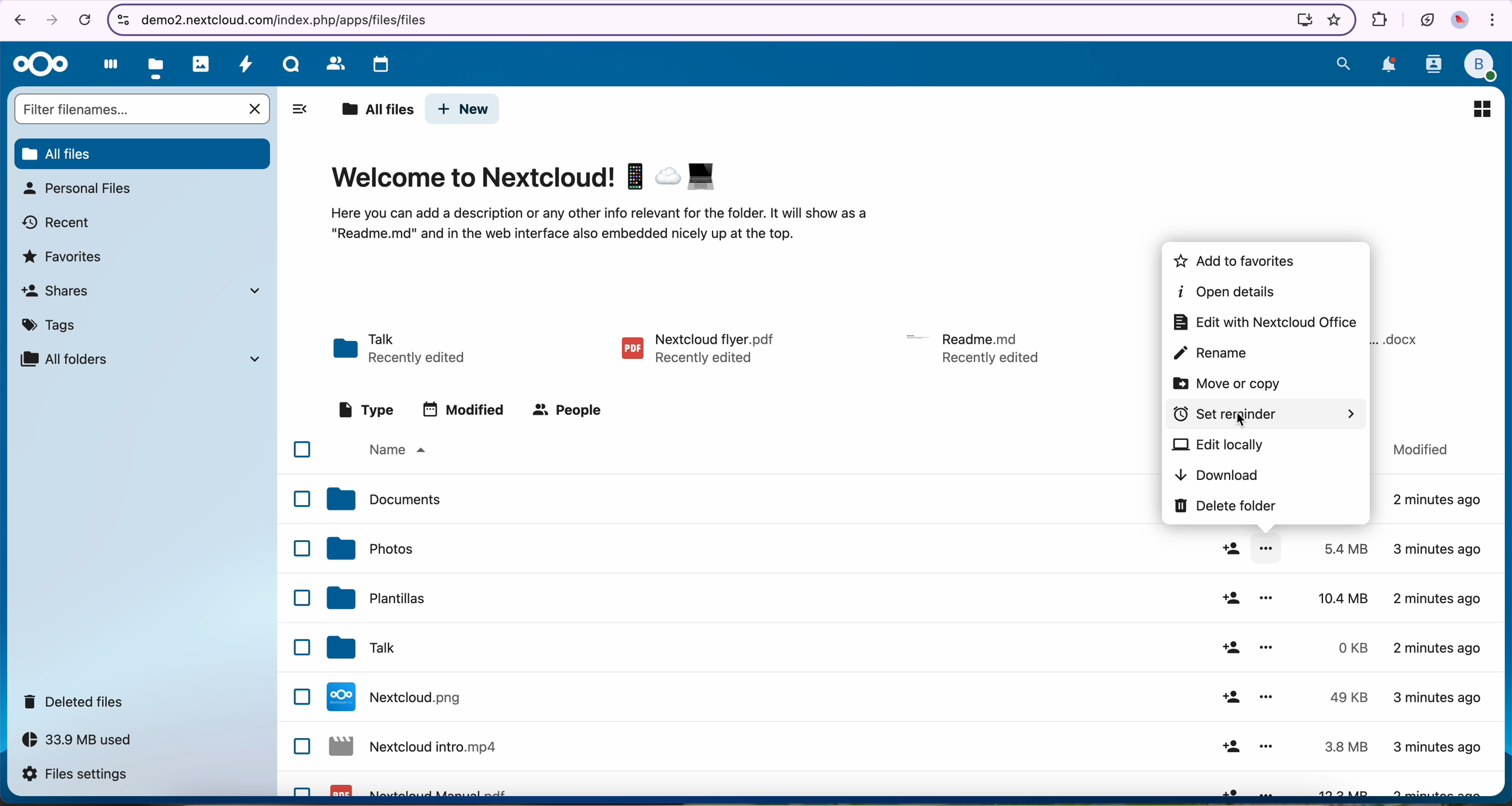  What do you see at coordinates (76, 702) in the screenshot?
I see `deleted files` at bounding box center [76, 702].